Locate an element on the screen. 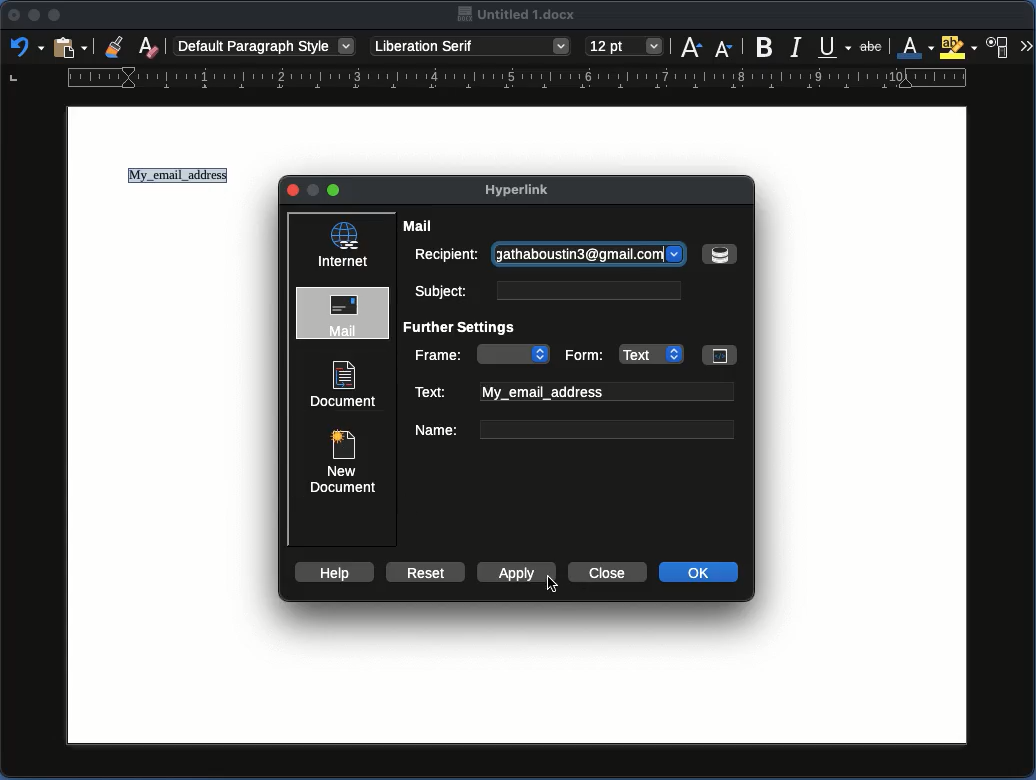 This screenshot has height=780, width=1036. Maximize is located at coordinates (54, 15).